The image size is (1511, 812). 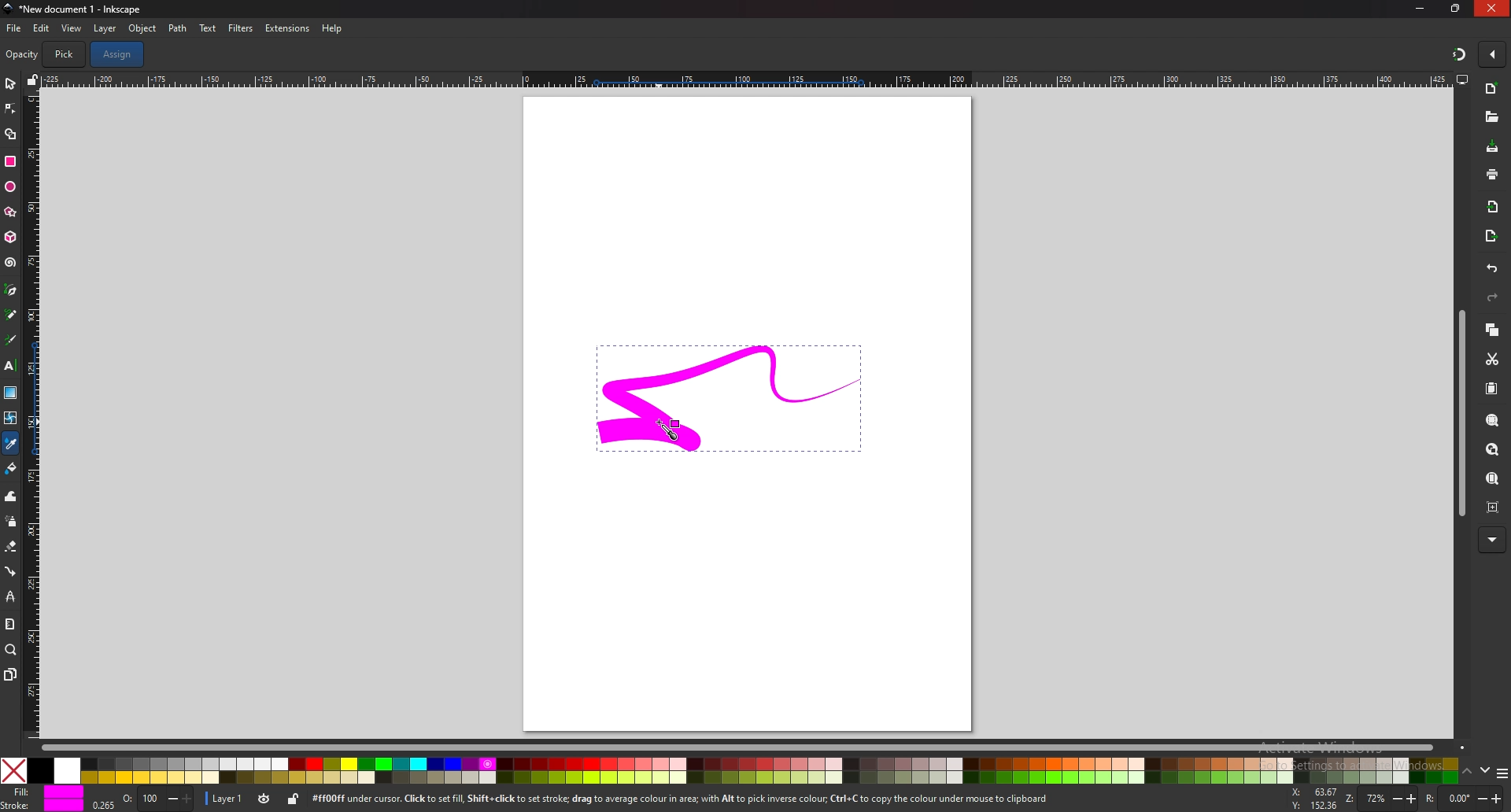 What do you see at coordinates (1462, 80) in the screenshot?
I see `display views` at bounding box center [1462, 80].